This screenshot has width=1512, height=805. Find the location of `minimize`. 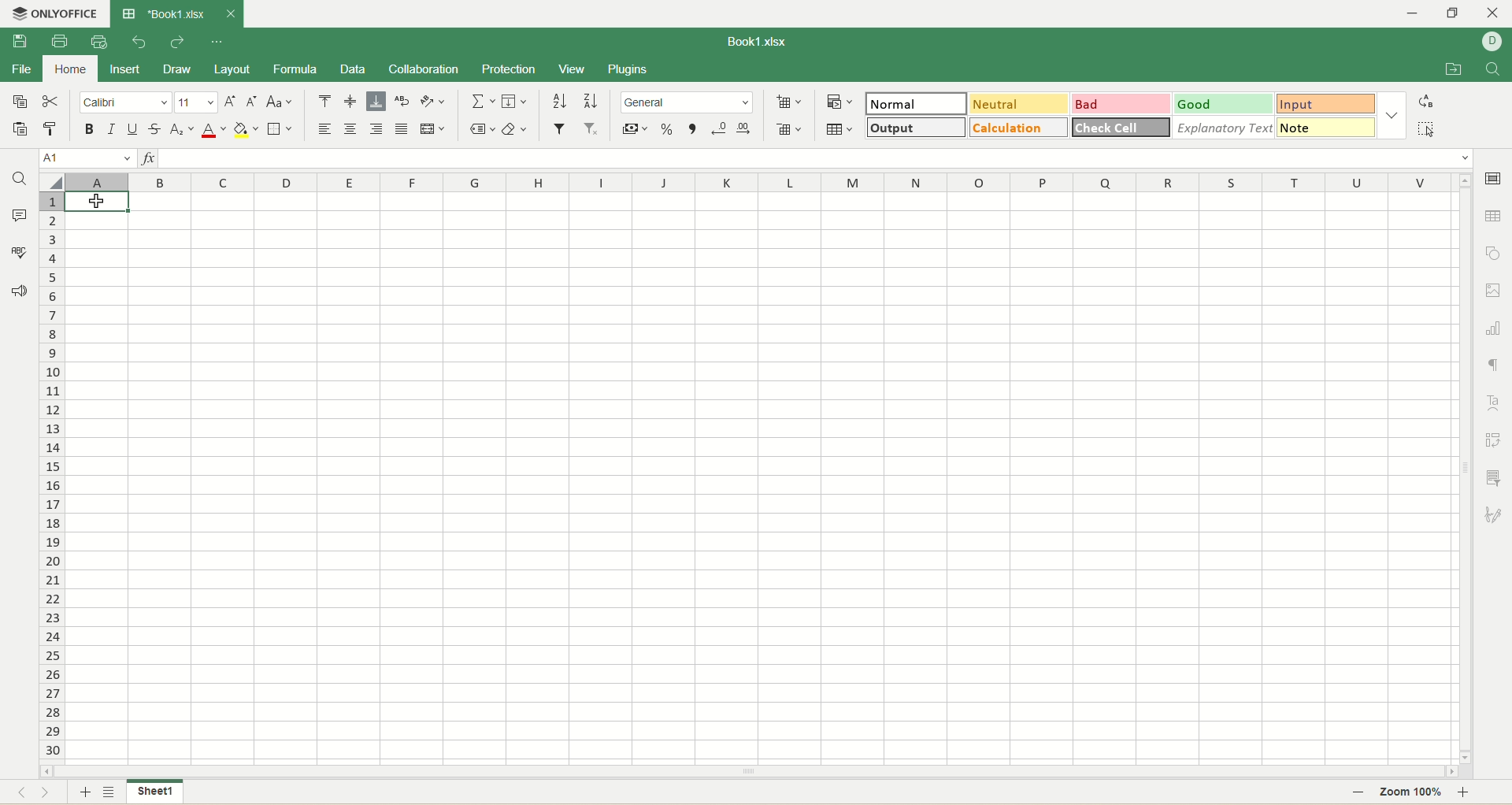

minimize is located at coordinates (1411, 13).